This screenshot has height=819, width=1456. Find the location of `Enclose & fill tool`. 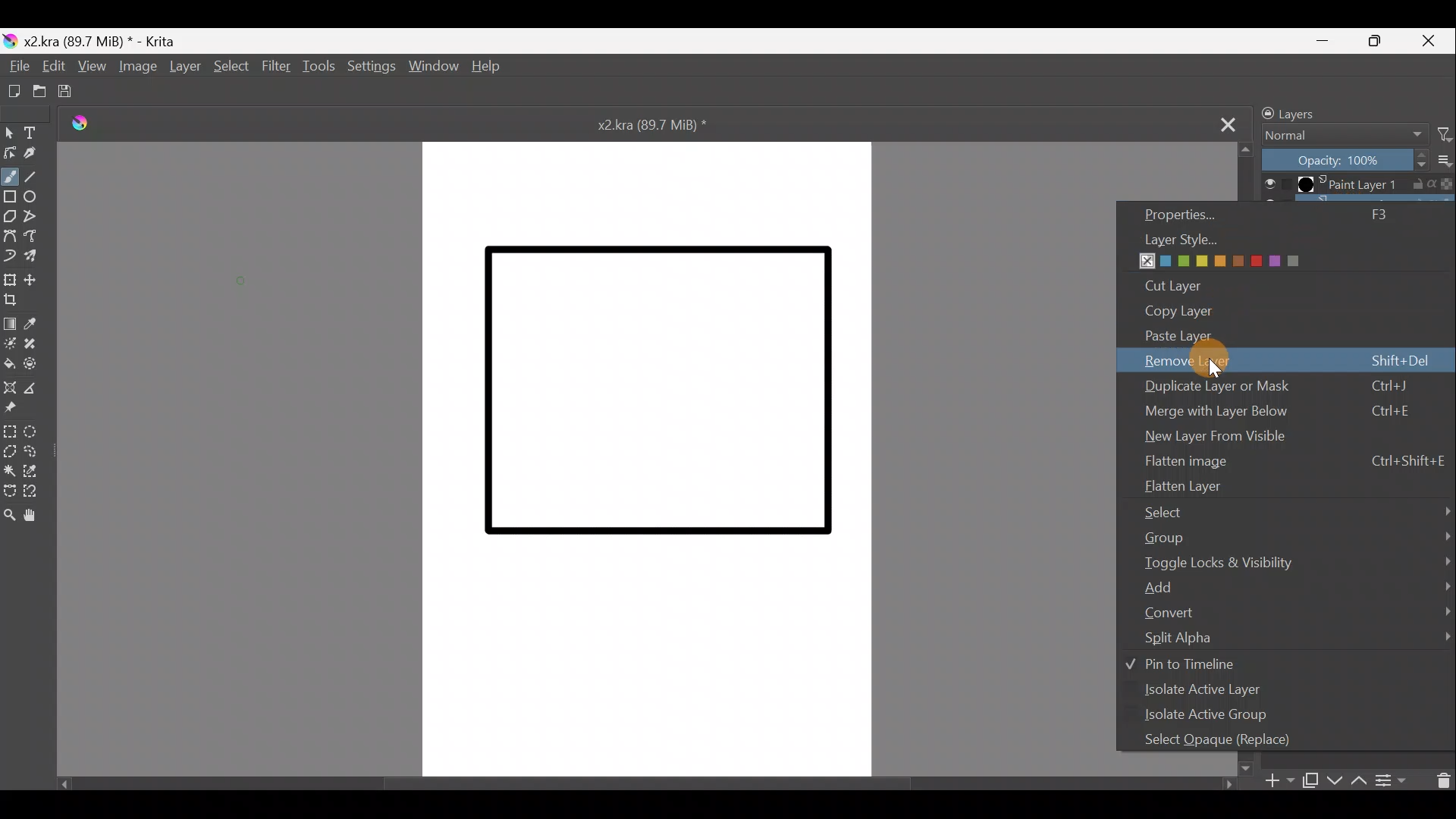

Enclose & fill tool is located at coordinates (38, 363).